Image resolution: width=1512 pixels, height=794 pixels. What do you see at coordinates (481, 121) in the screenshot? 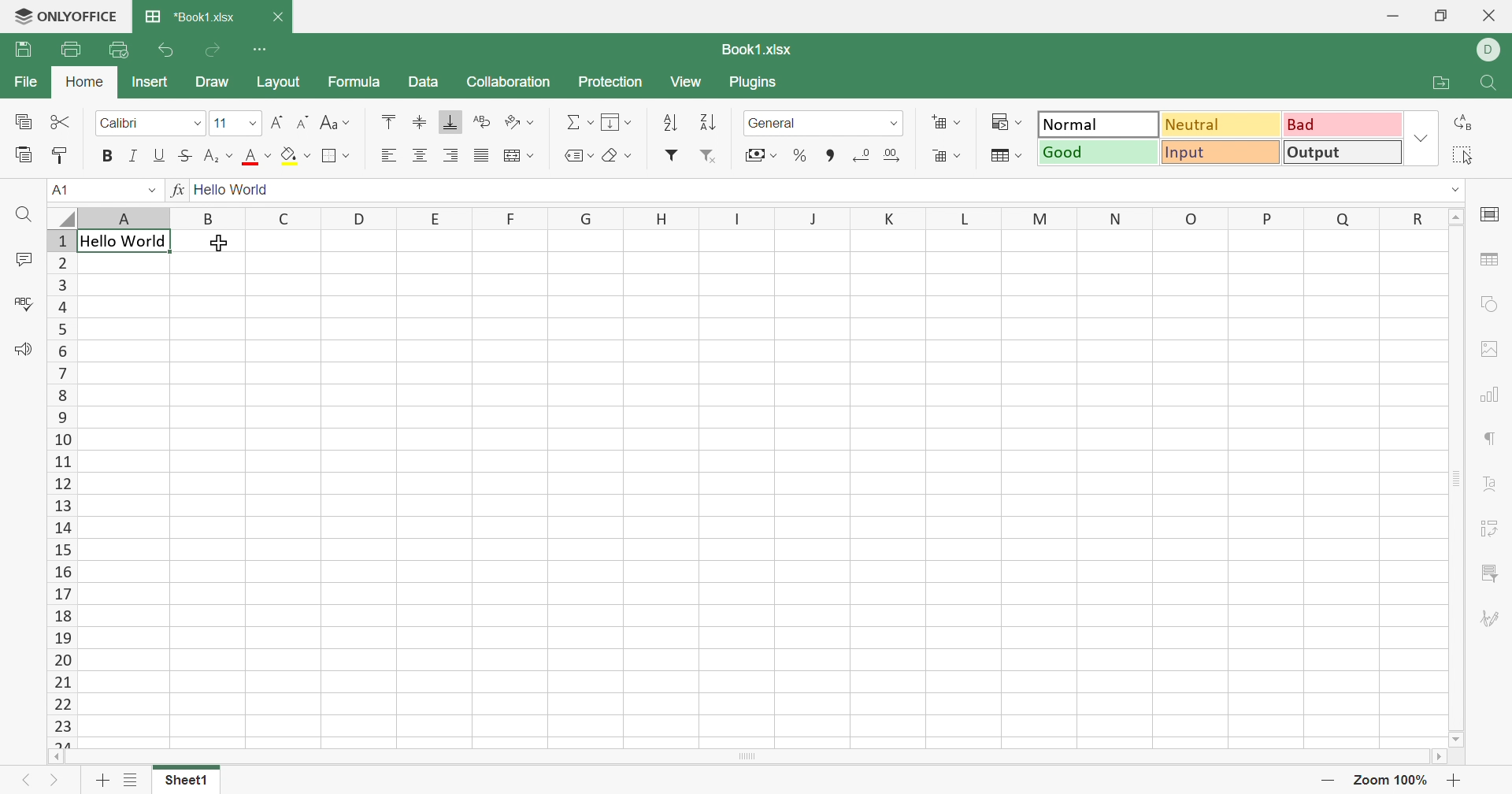
I see `Wrap text` at bounding box center [481, 121].